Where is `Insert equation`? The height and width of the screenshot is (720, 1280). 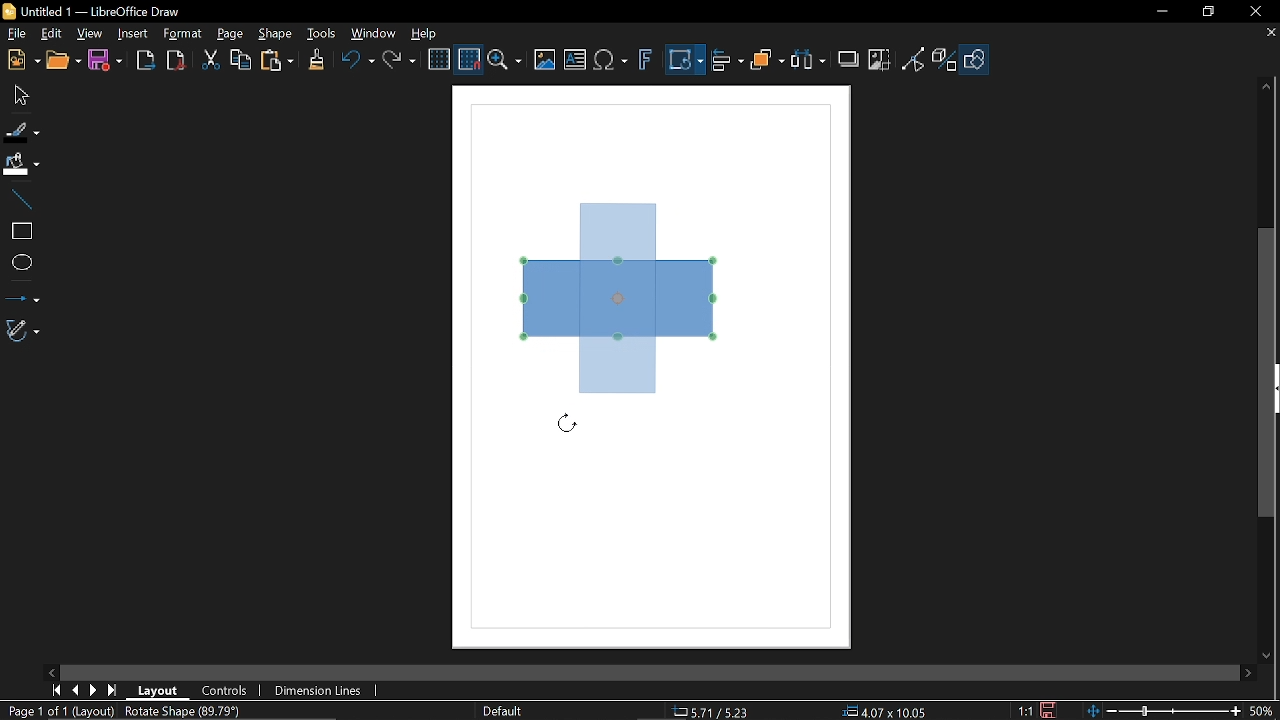 Insert equation is located at coordinates (610, 63).